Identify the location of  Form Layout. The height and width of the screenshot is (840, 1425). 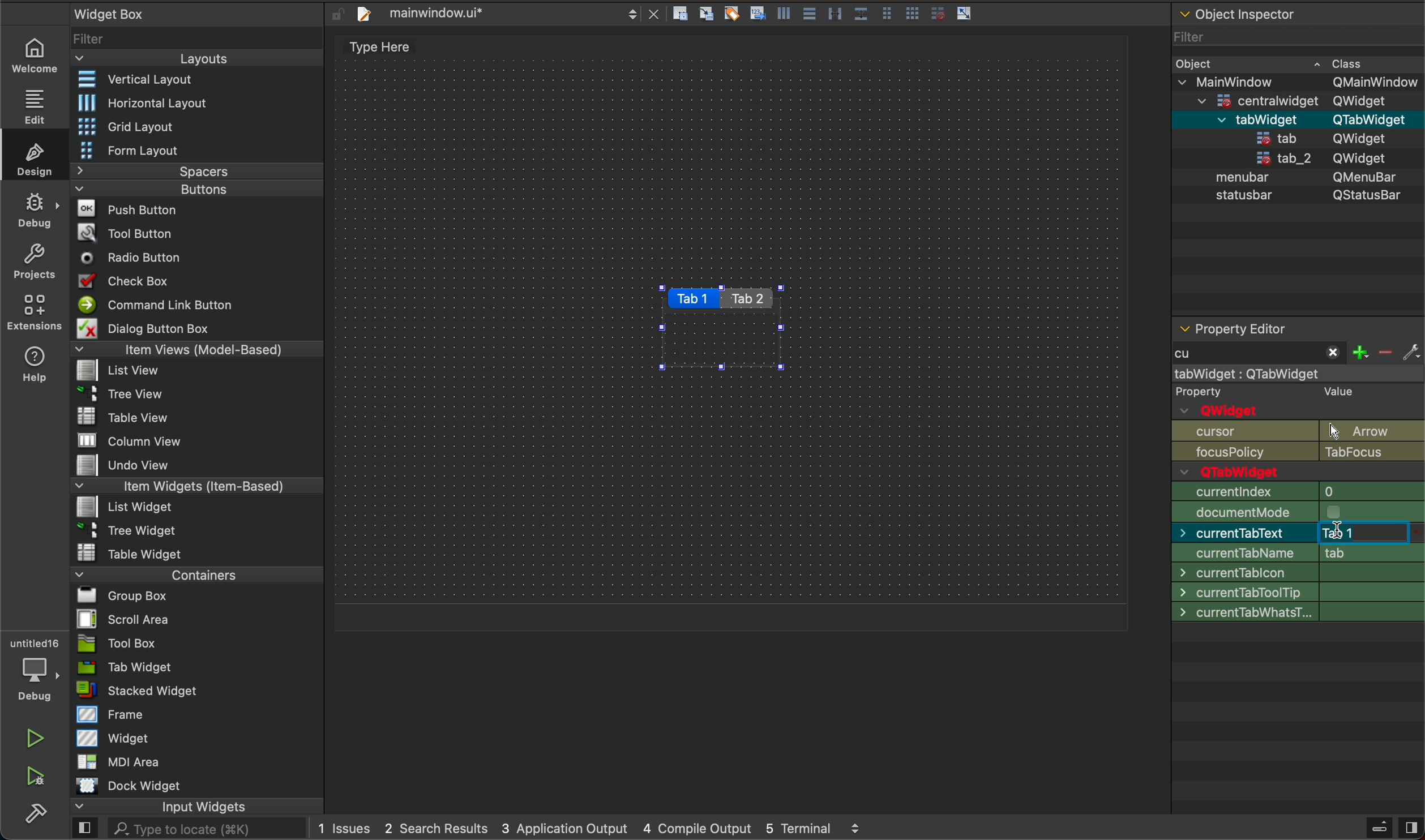
(131, 151).